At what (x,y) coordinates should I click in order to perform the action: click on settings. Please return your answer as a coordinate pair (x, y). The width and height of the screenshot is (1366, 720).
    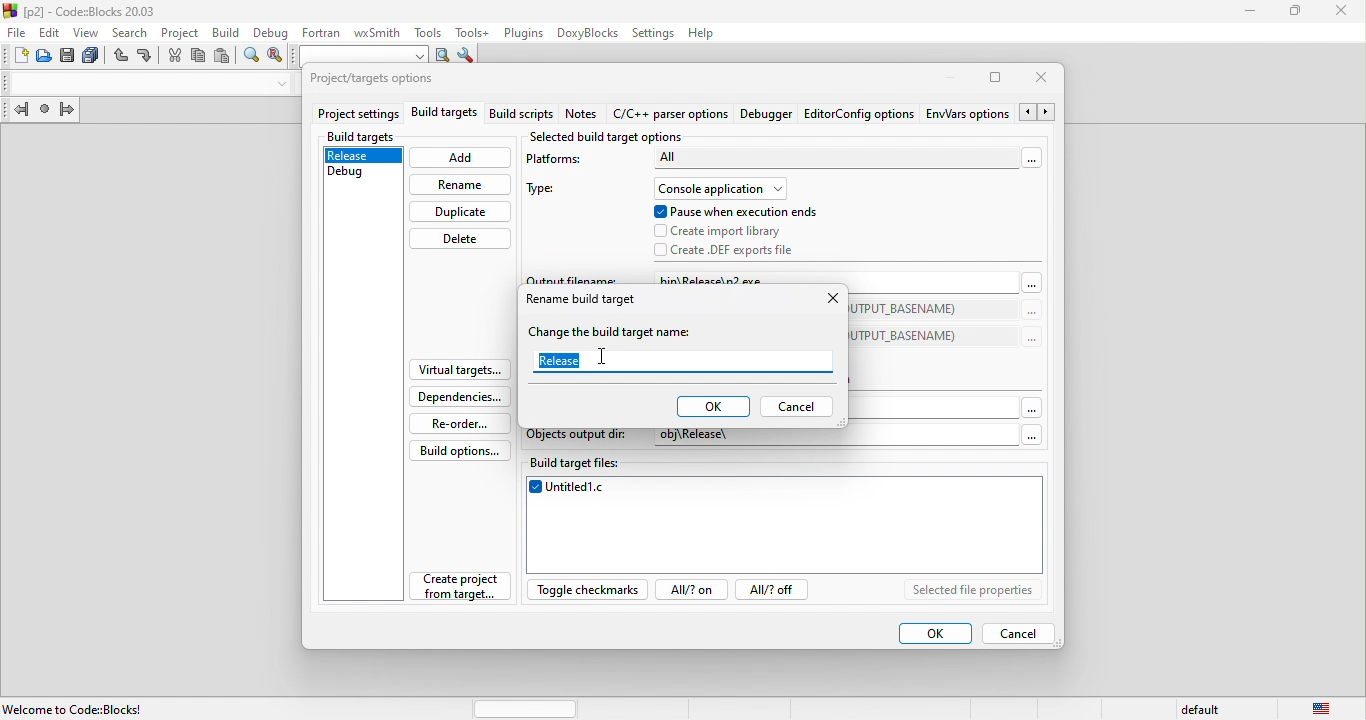
    Looking at the image, I should click on (653, 32).